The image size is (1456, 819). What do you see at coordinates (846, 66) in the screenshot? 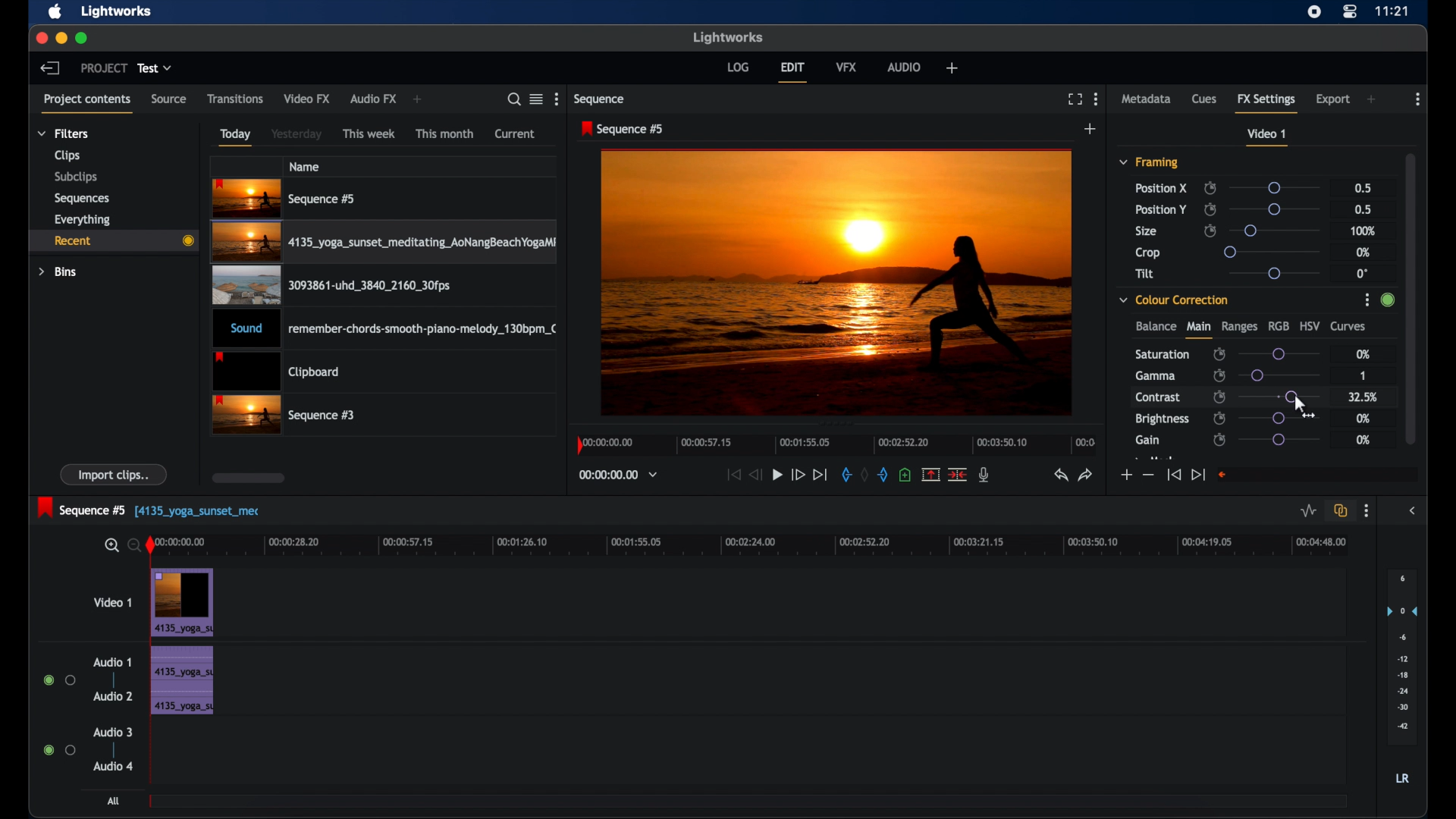
I see `vfx` at bounding box center [846, 66].